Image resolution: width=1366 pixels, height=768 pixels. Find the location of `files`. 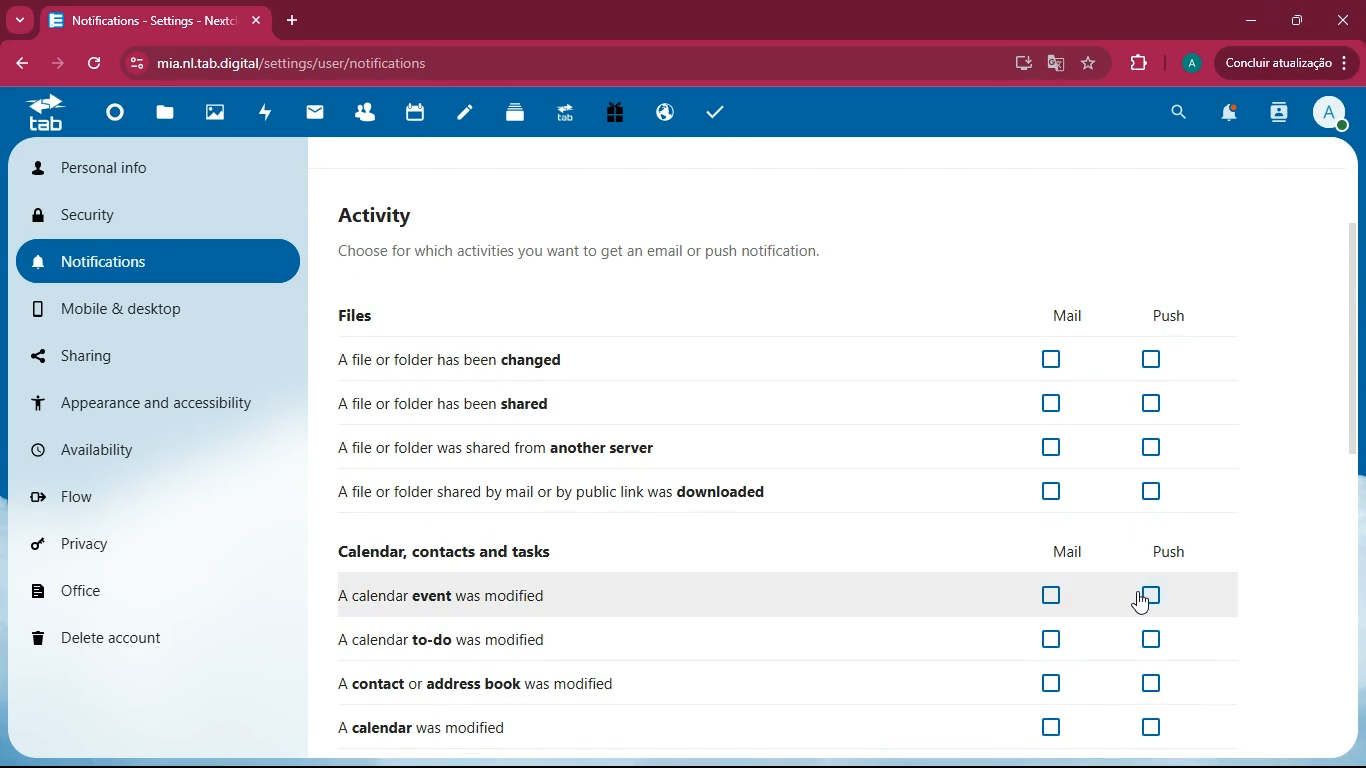

files is located at coordinates (168, 116).